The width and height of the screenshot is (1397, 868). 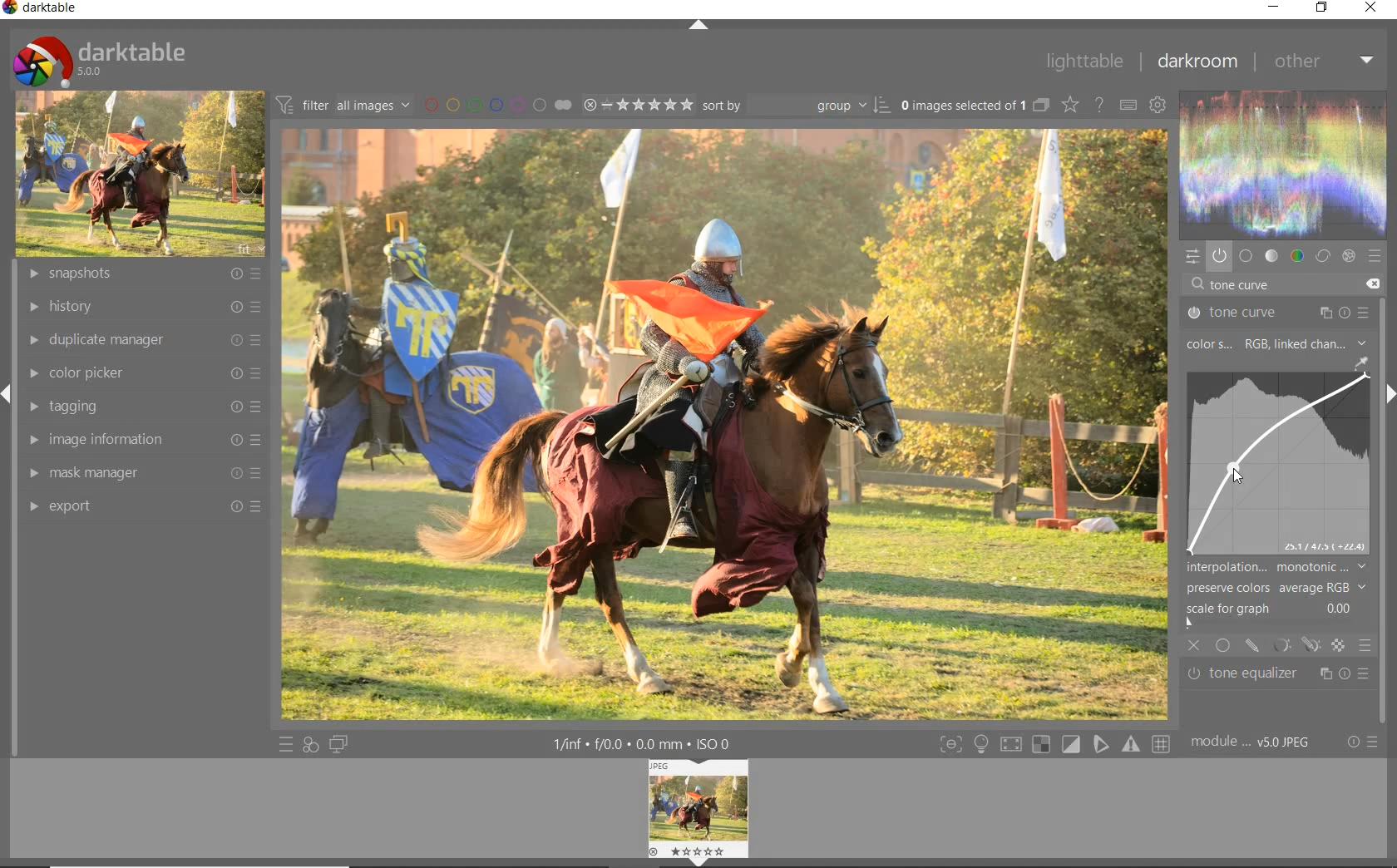 I want to click on selected Image range rating, so click(x=636, y=105).